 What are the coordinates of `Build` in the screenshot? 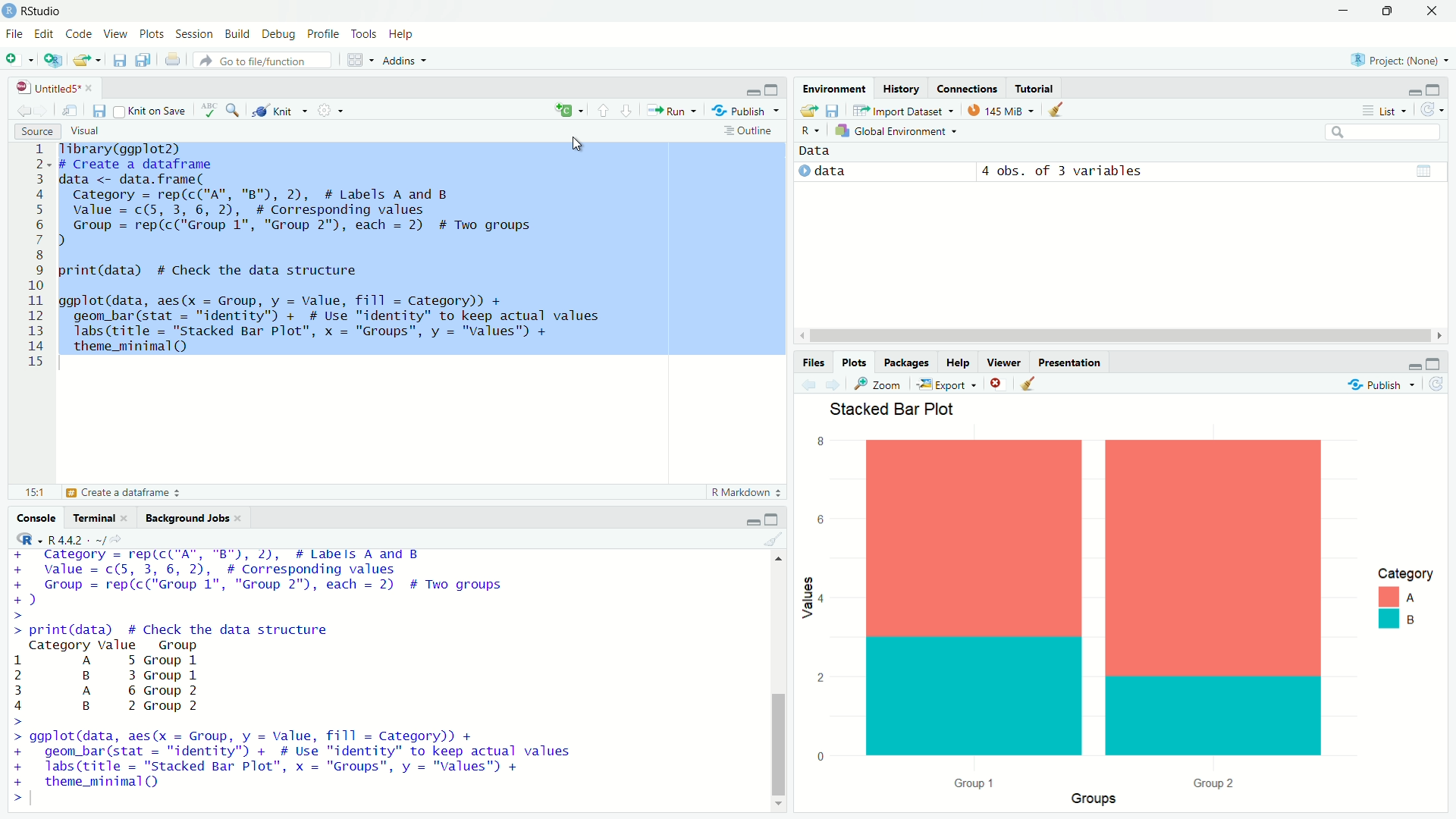 It's located at (237, 33).